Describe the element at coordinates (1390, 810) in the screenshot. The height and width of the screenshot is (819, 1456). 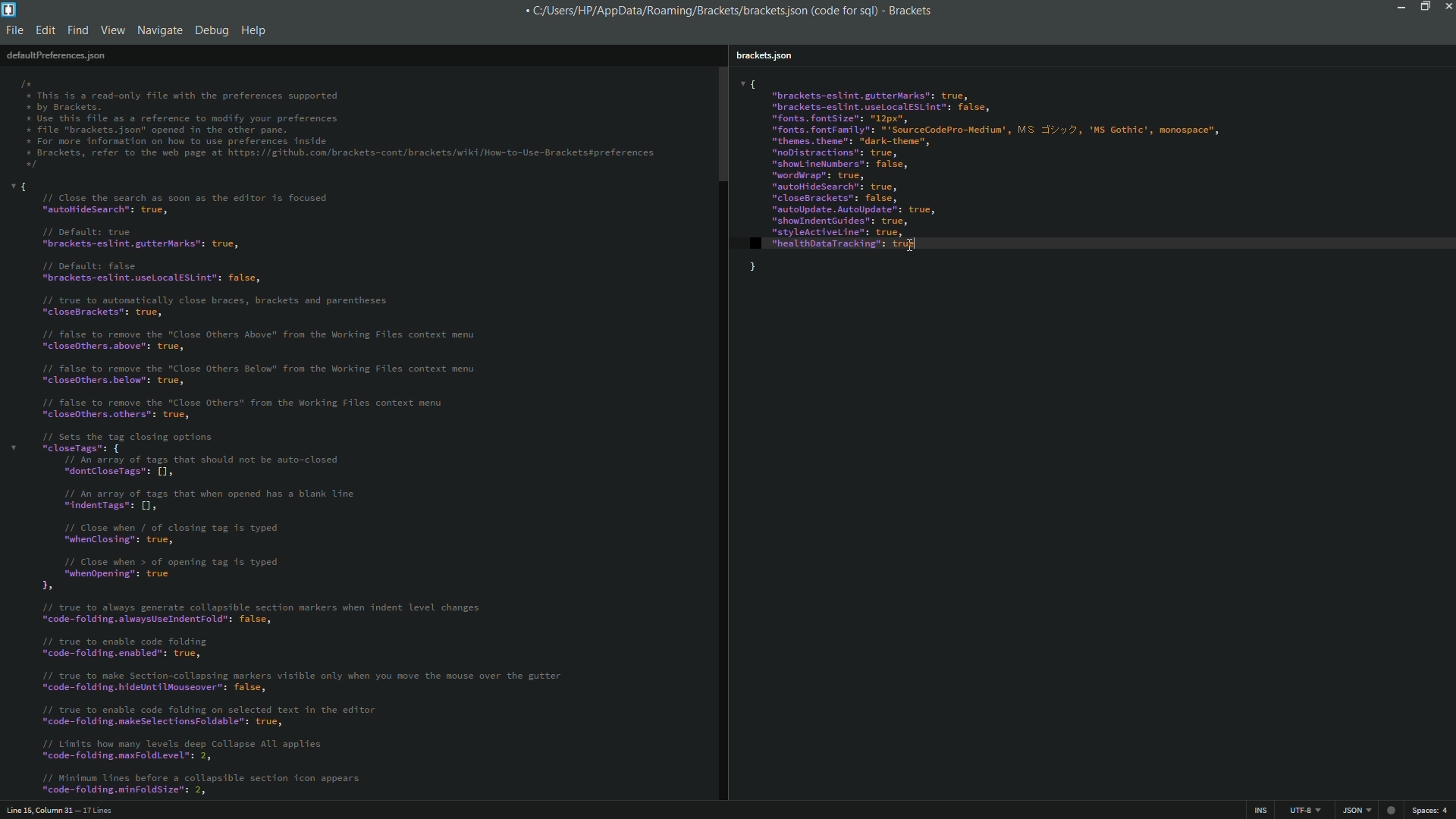
I see `error status` at that location.